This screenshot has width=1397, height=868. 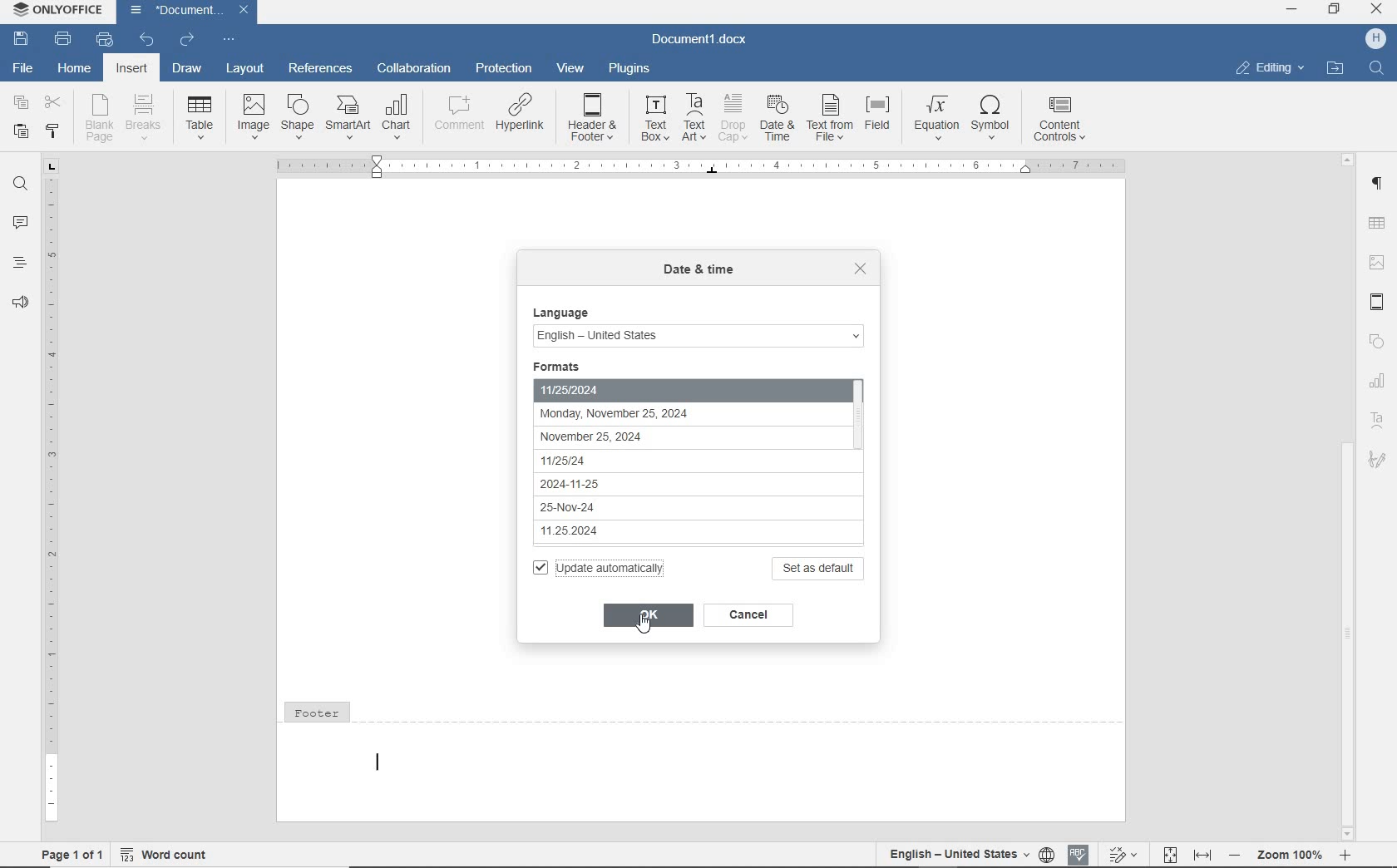 I want to click on plugins, so click(x=631, y=70).